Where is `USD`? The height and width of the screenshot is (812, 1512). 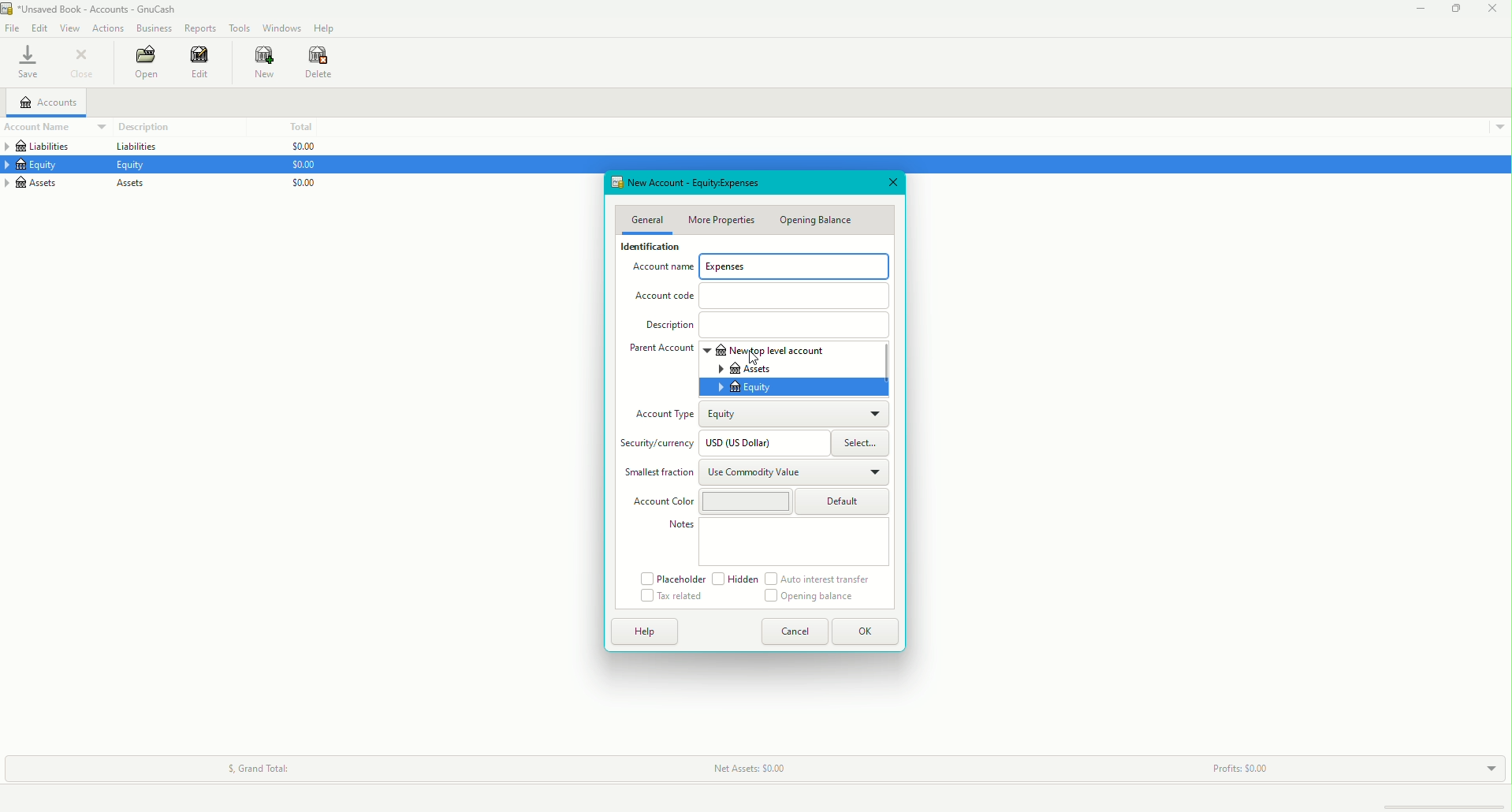 USD is located at coordinates (759, 441).